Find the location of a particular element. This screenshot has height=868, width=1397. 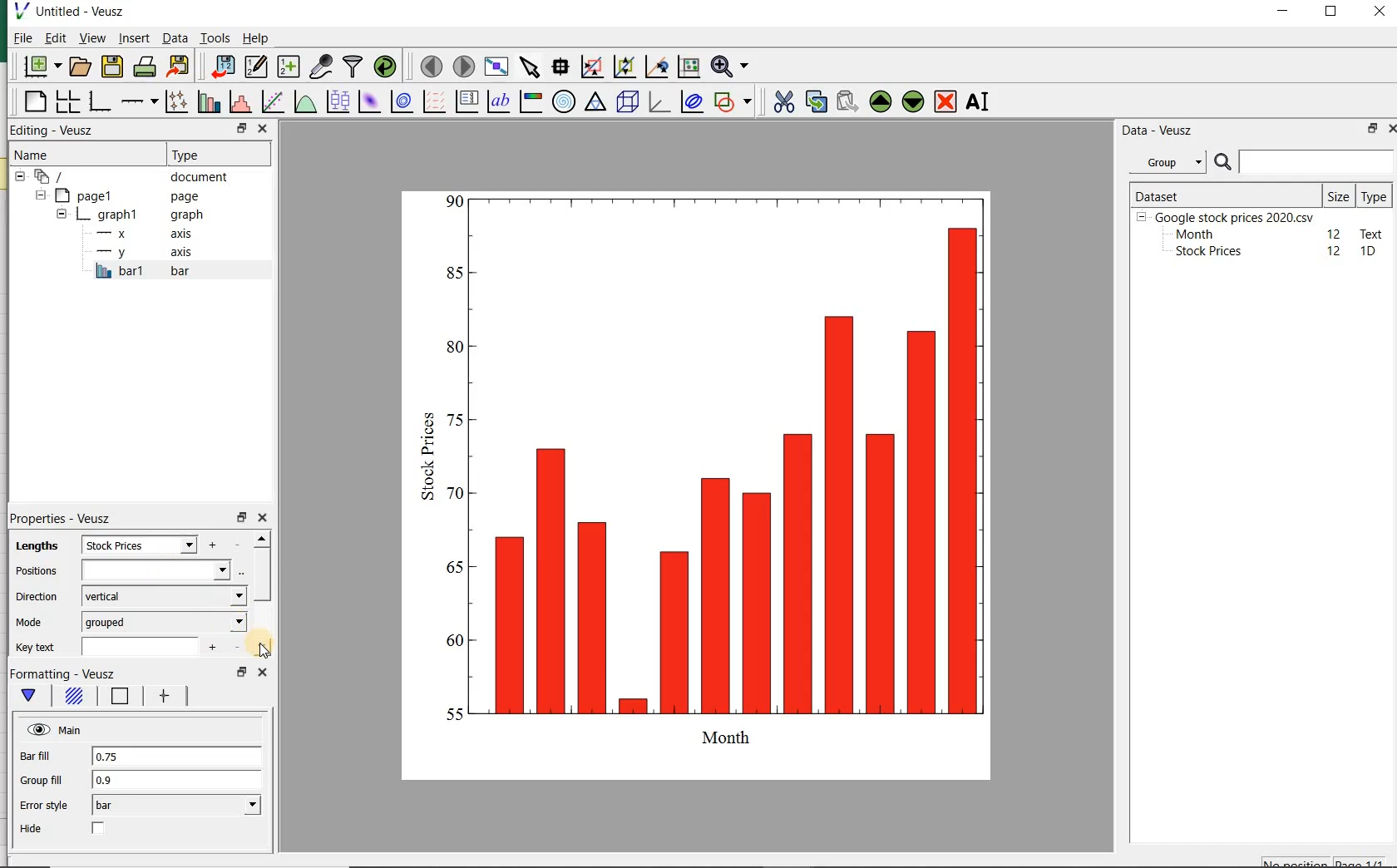

cursor is located at coordinates (263, 649).